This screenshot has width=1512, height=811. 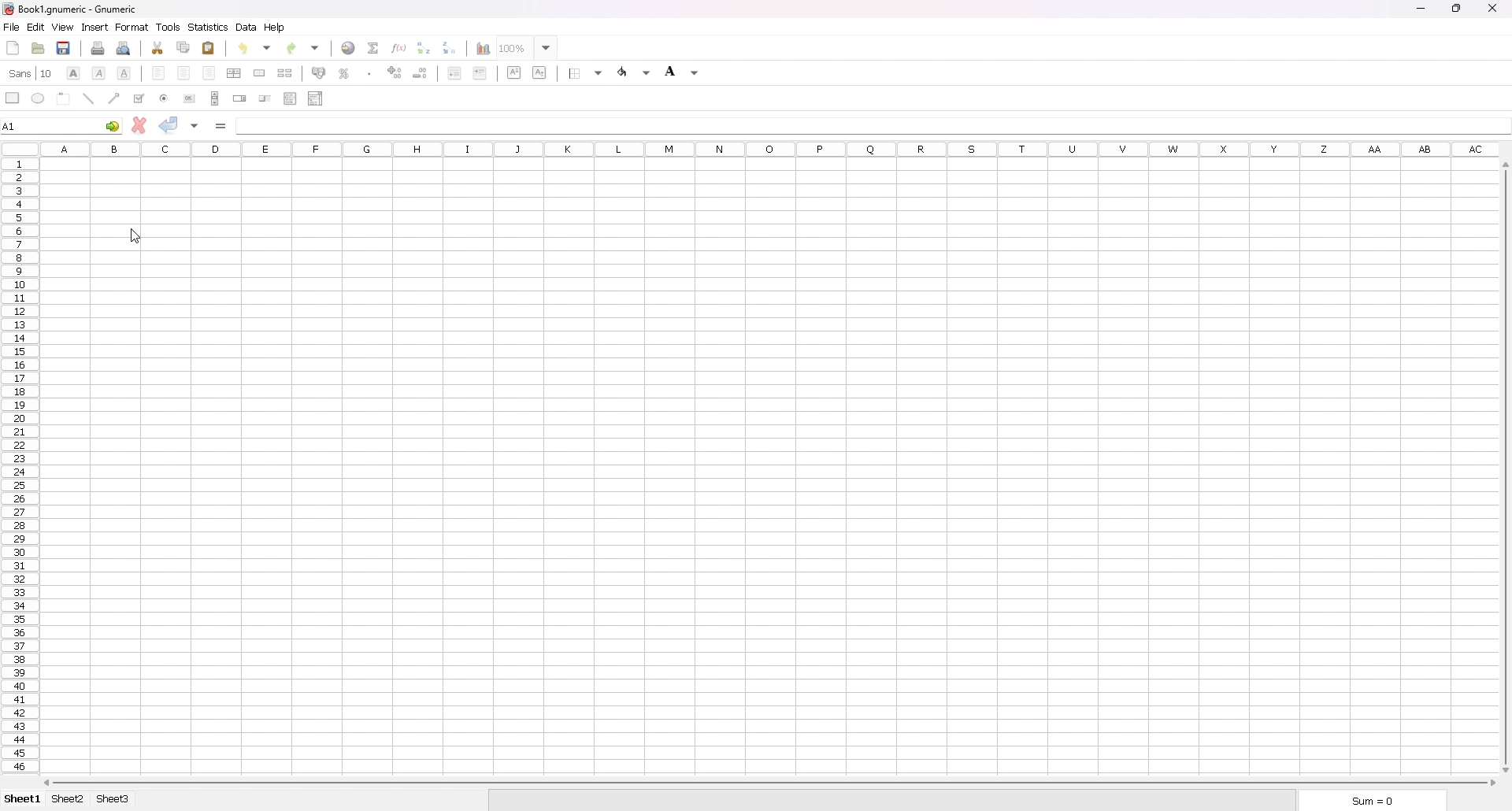 I want to click on cancel changes, so click(x=139, y=124).